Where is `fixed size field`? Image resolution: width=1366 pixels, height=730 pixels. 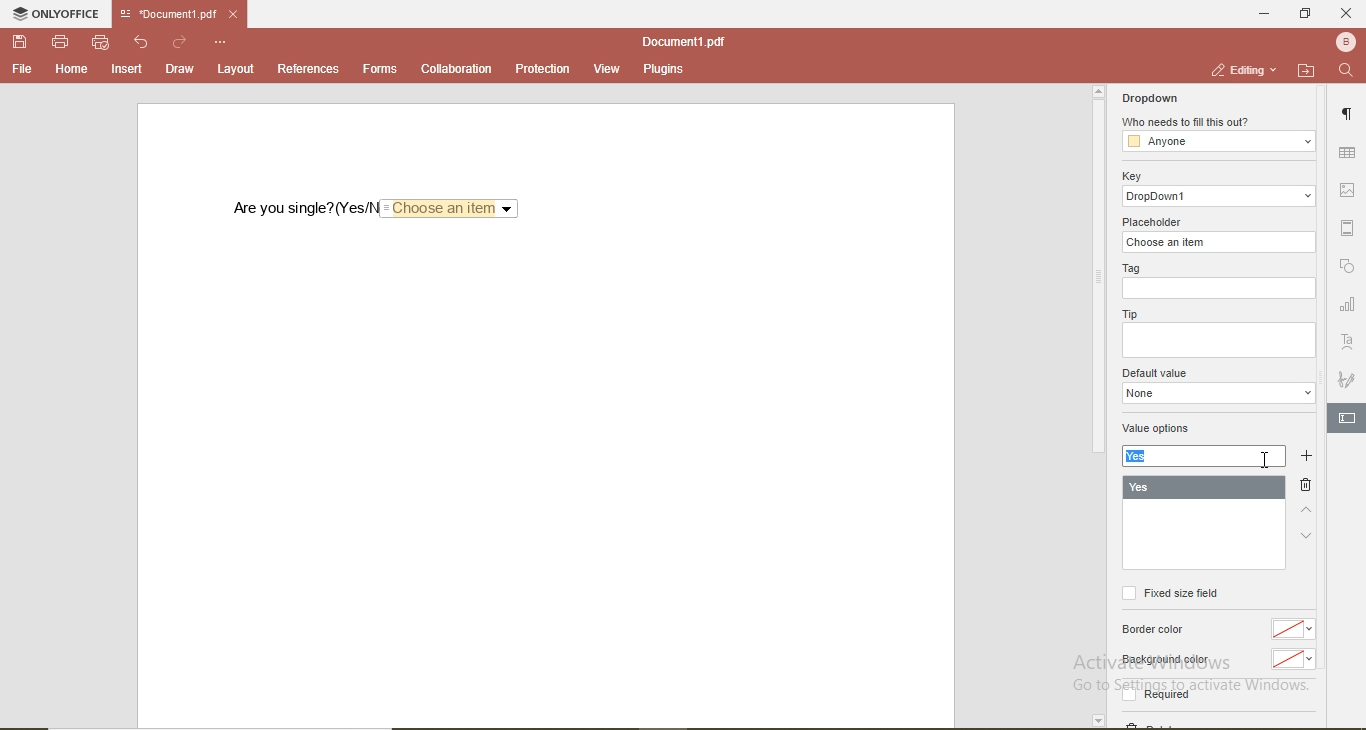 fixed size field is located at coordinates (1172, 594).